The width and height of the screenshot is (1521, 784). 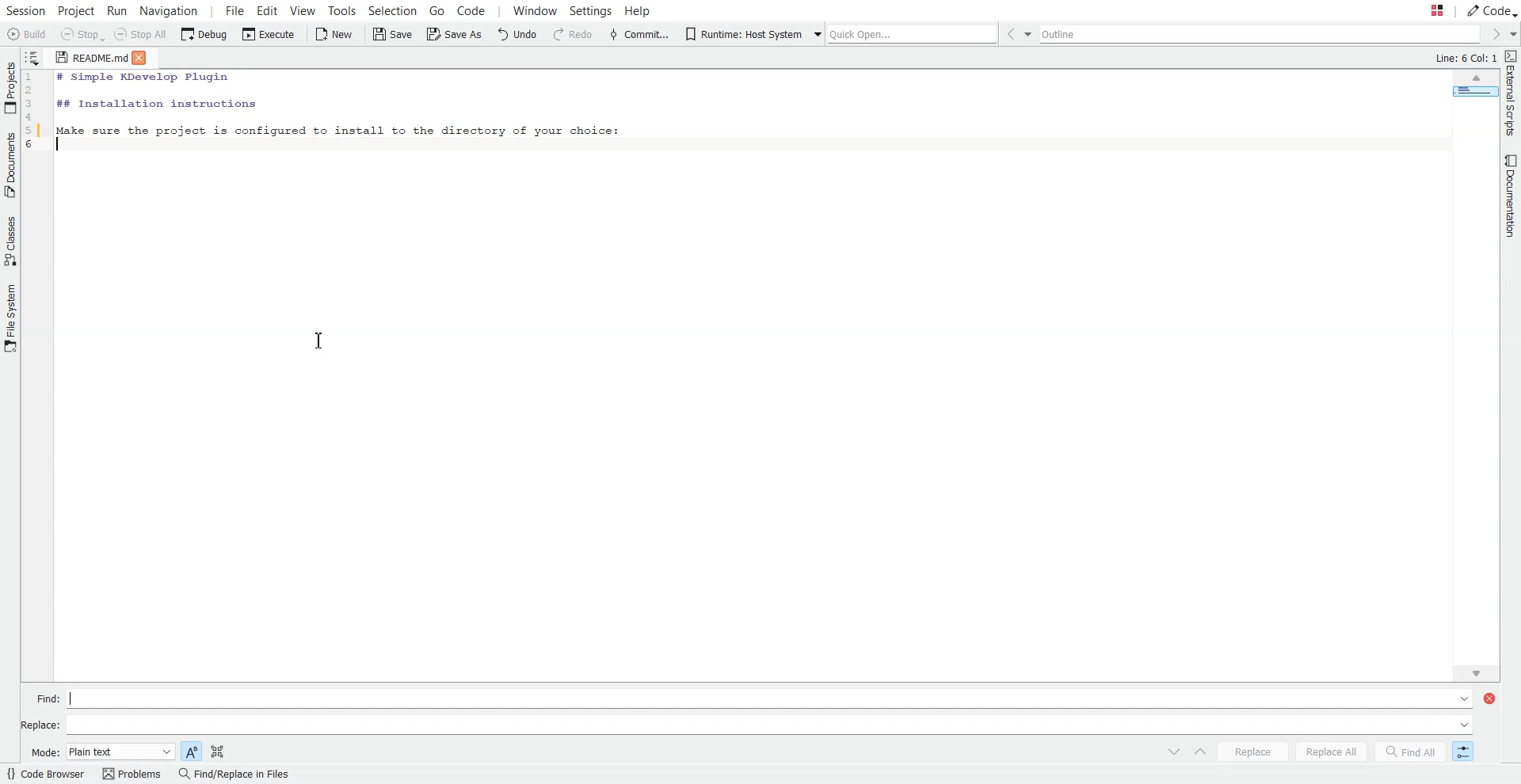 What do you see at coordinates (902, 32) in the screenshot?
I see `Quick Open` at bounding box center [902, 32].